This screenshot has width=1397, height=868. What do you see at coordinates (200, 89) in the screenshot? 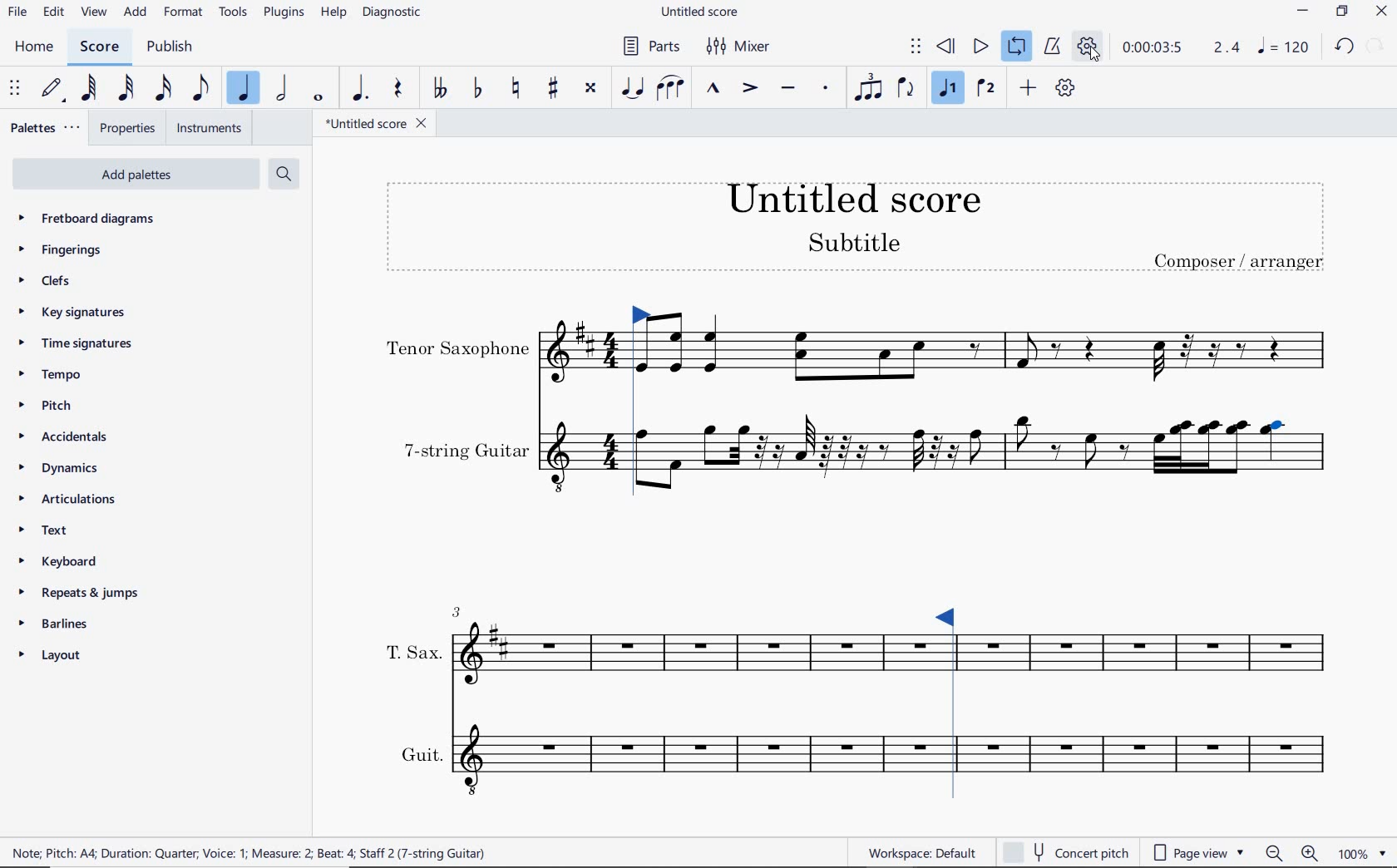
I see `EIGHTH NOTE` at bounding box center [200, 89].